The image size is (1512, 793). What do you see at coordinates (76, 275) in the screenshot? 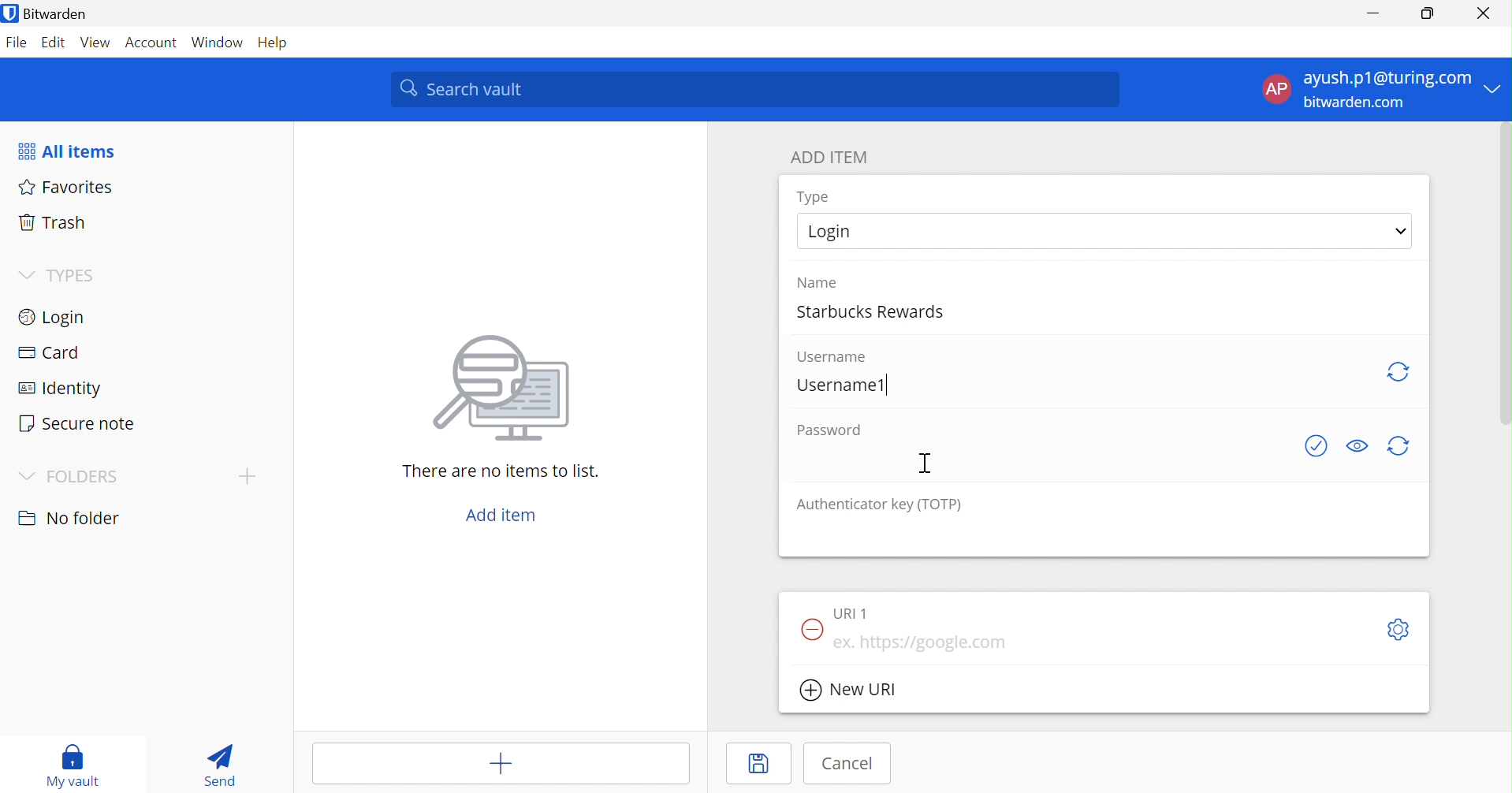
I see `TYPES` at bounding box center [76, 275].